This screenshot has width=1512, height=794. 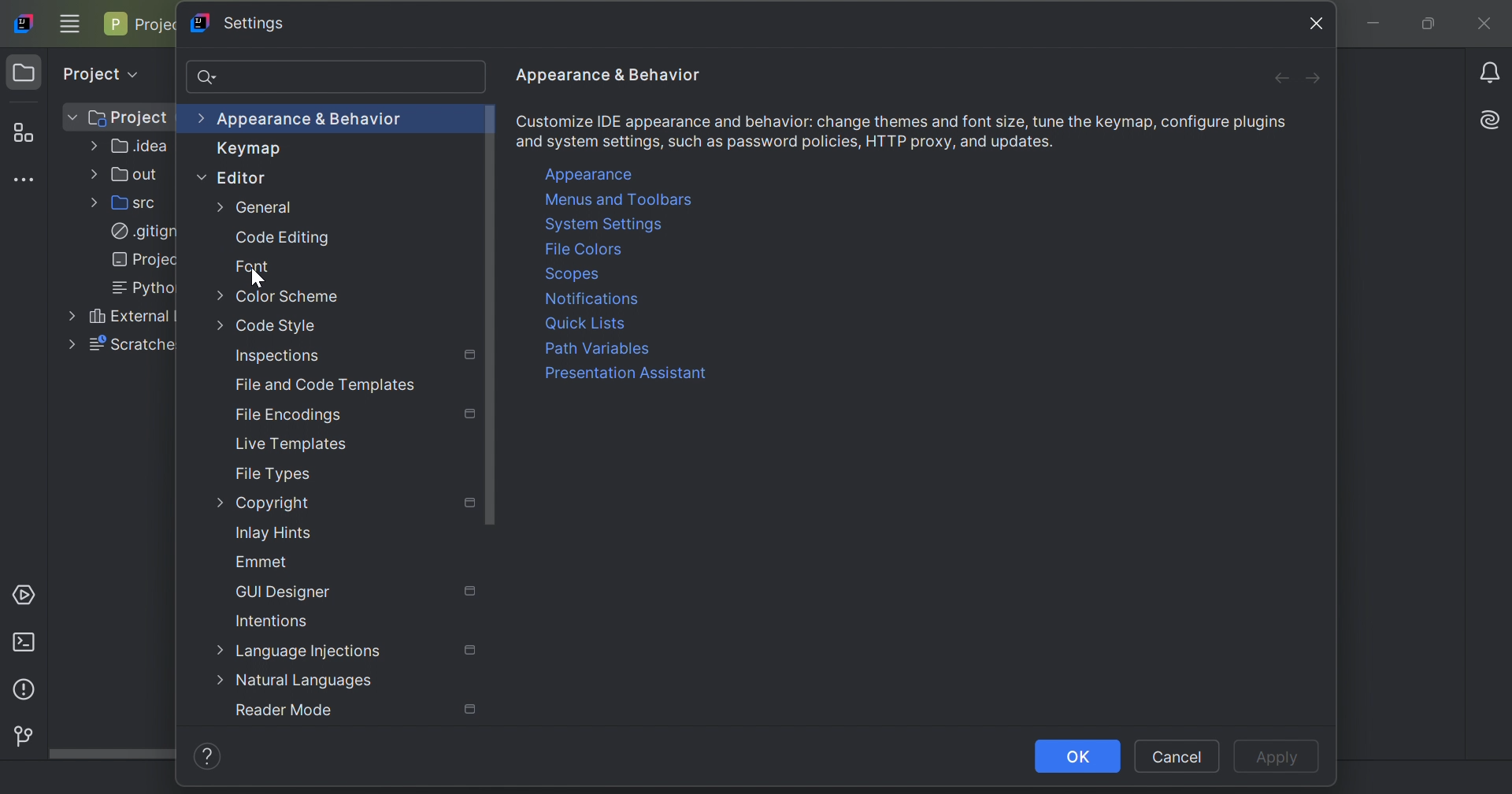 What do you see at coordinates (1177, 756) in the screenshot?
I see `Cancel` at bounding box center [1177, 756].